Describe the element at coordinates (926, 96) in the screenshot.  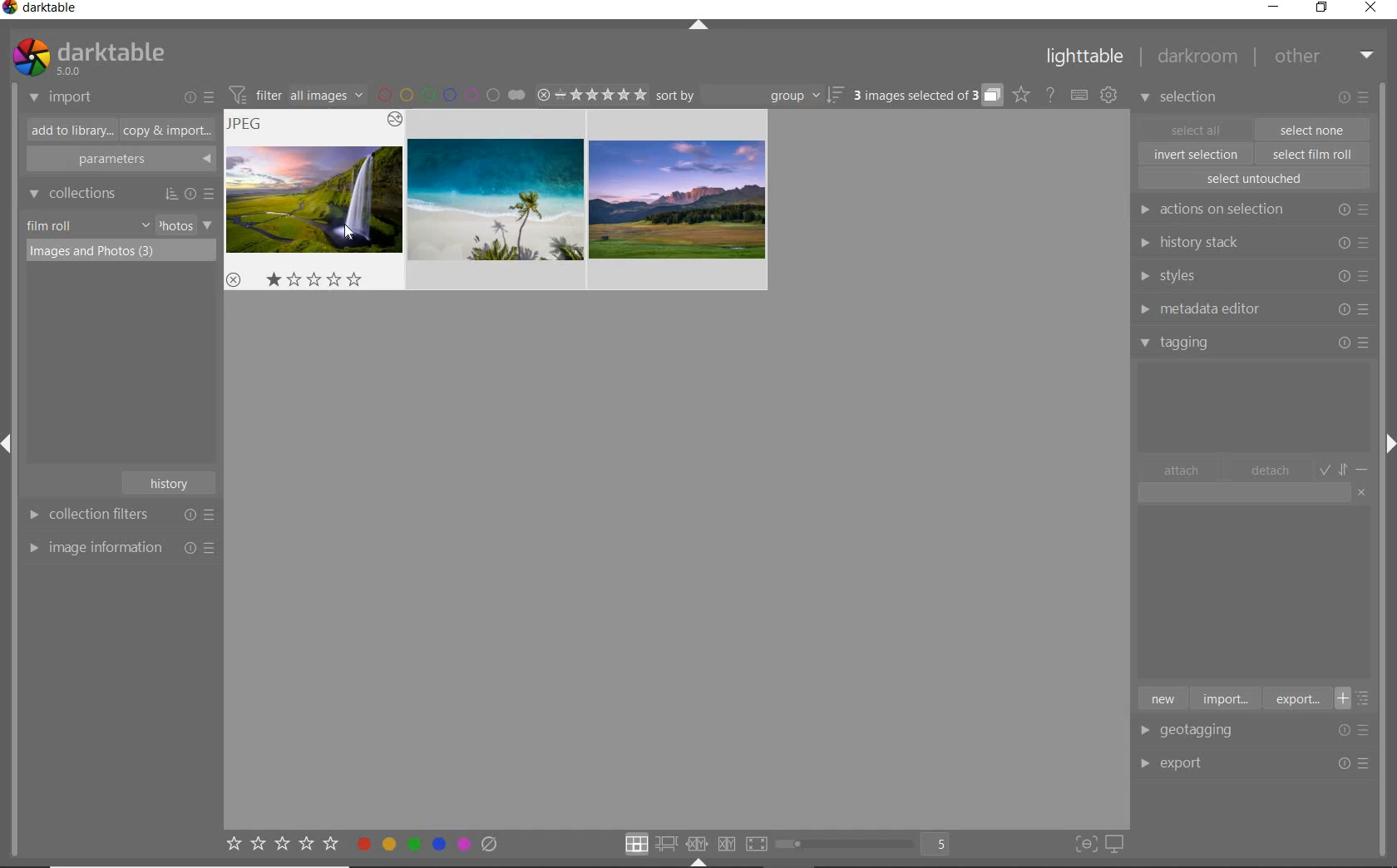
I see `expand grouped images` at that location.